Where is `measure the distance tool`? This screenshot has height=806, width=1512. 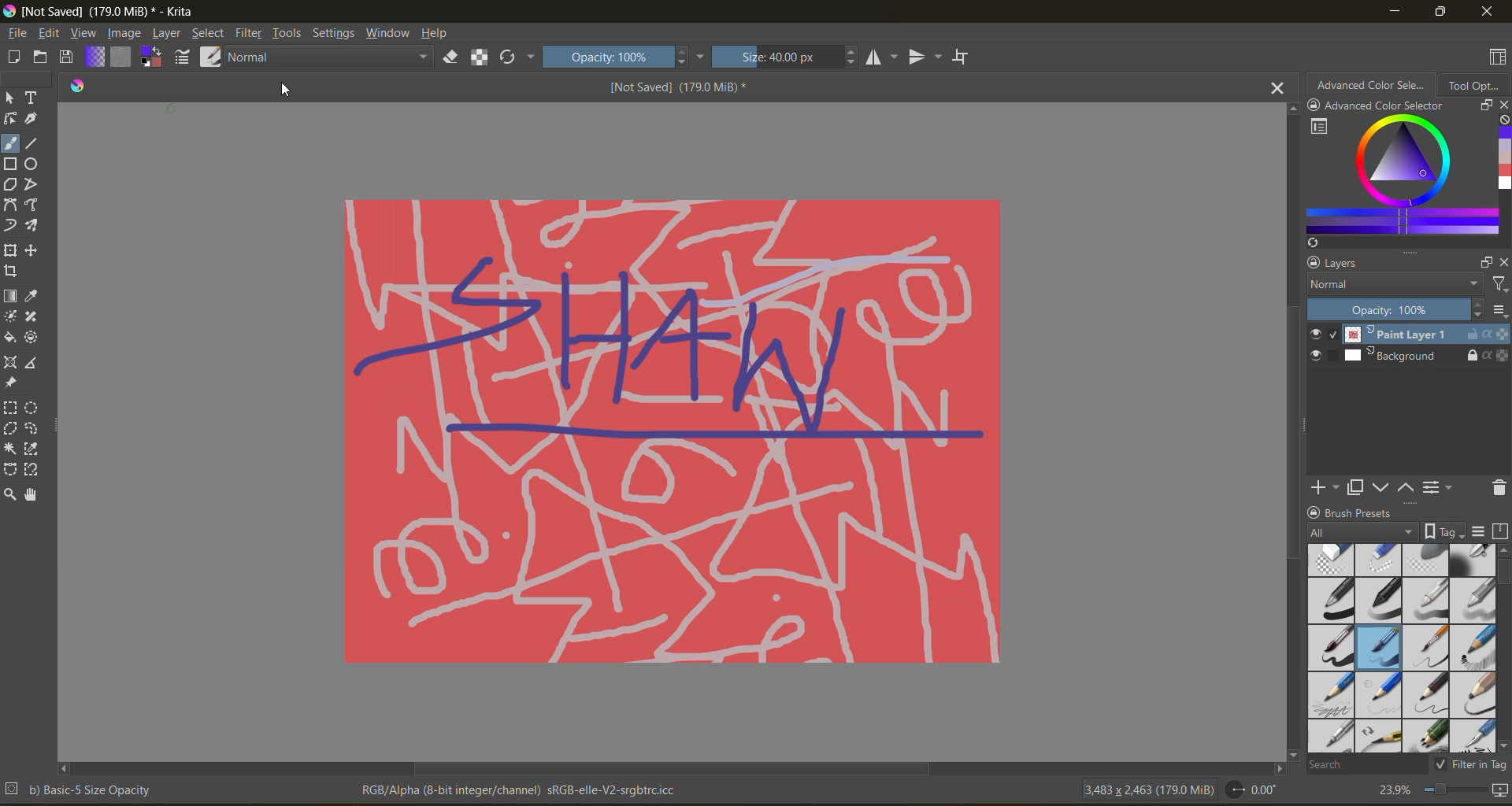 measure the distance tool is located at coordinates (36, 362).